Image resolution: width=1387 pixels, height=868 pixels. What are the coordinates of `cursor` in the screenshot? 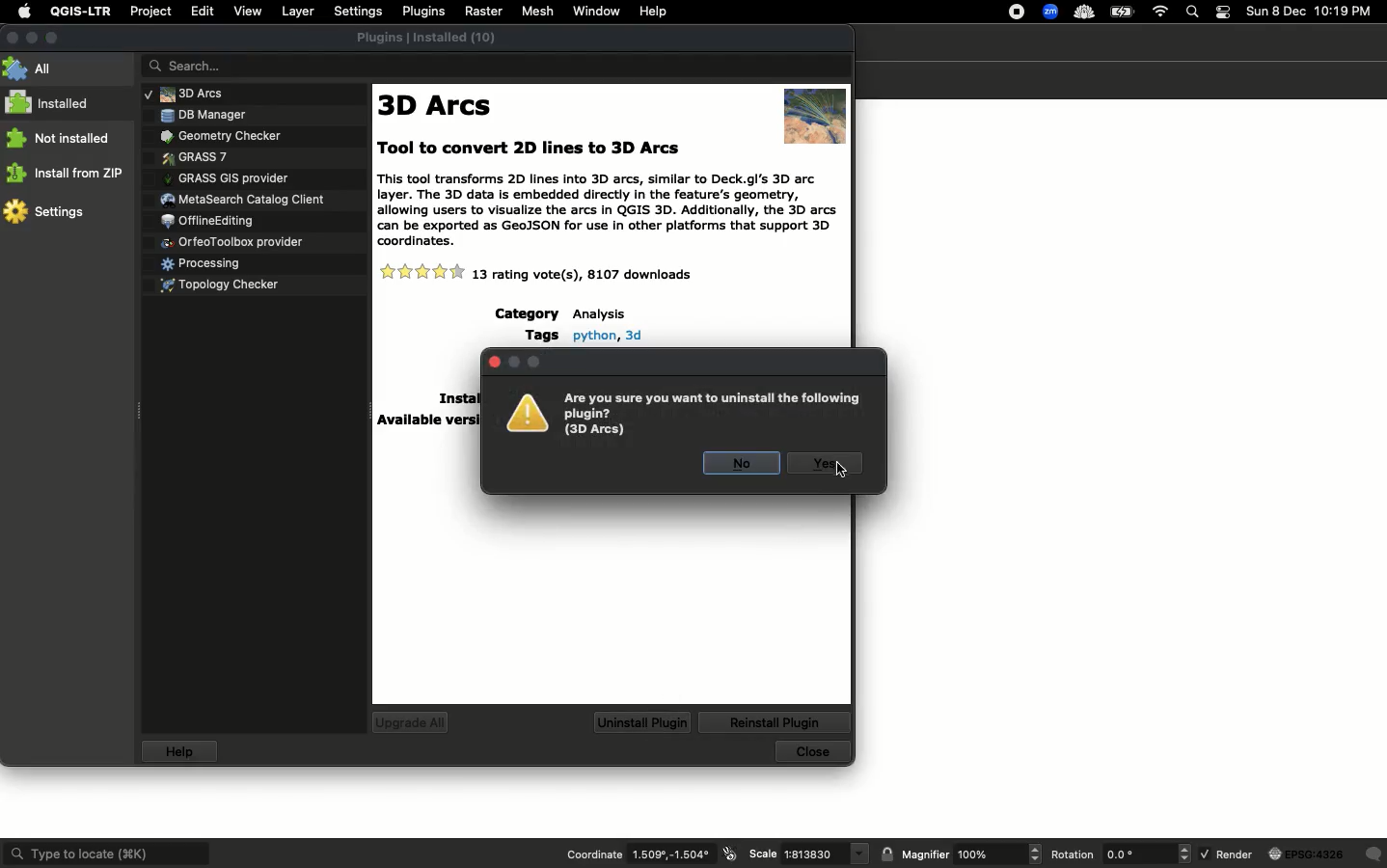 It's located at (839, 470).